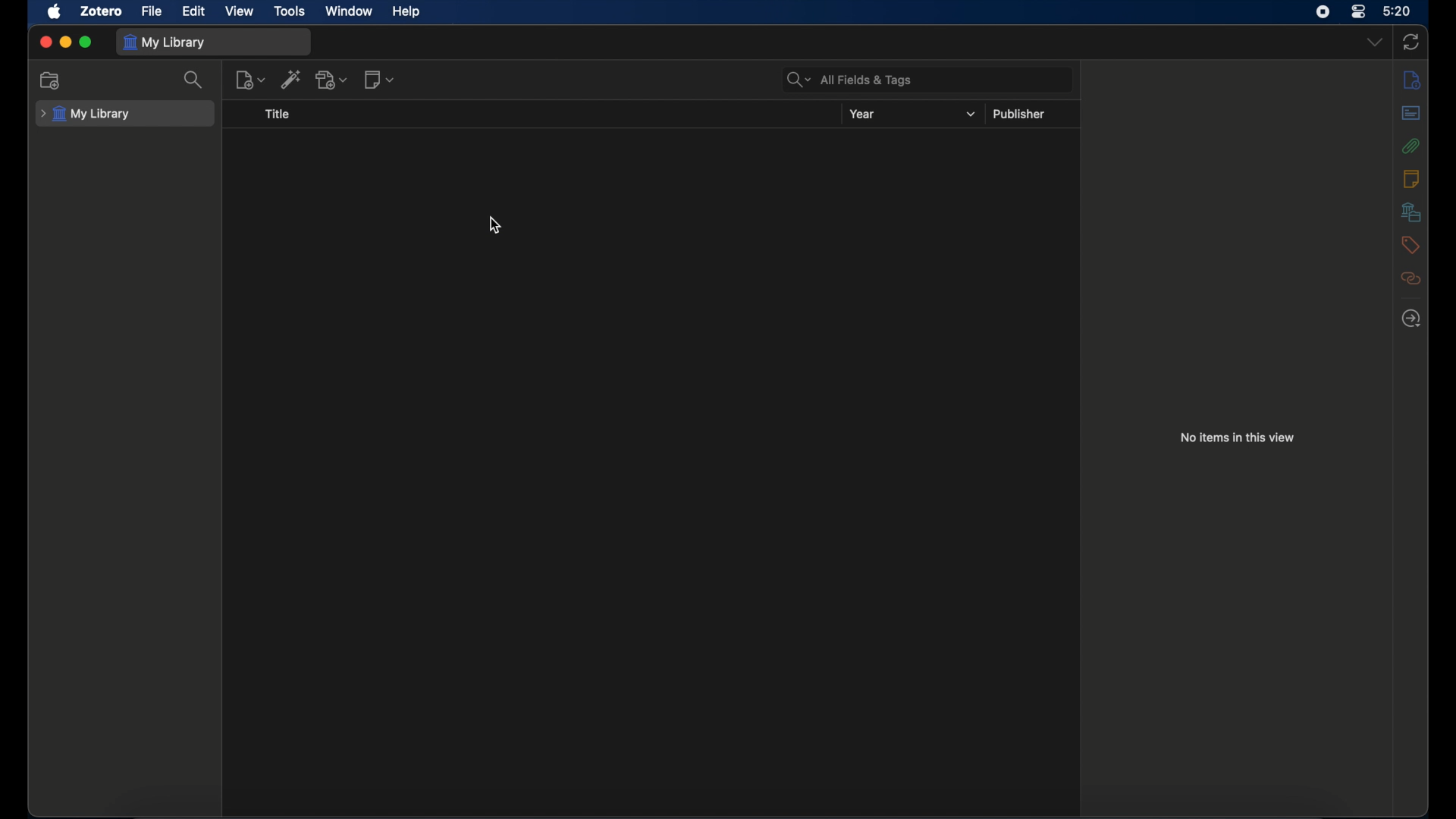 Image resolution: width=1456 pixels, height=819 pixels. What do you see at coordinates (65, 42) in the screenshot?
I see `minimize` at bounding box center [65, 42].